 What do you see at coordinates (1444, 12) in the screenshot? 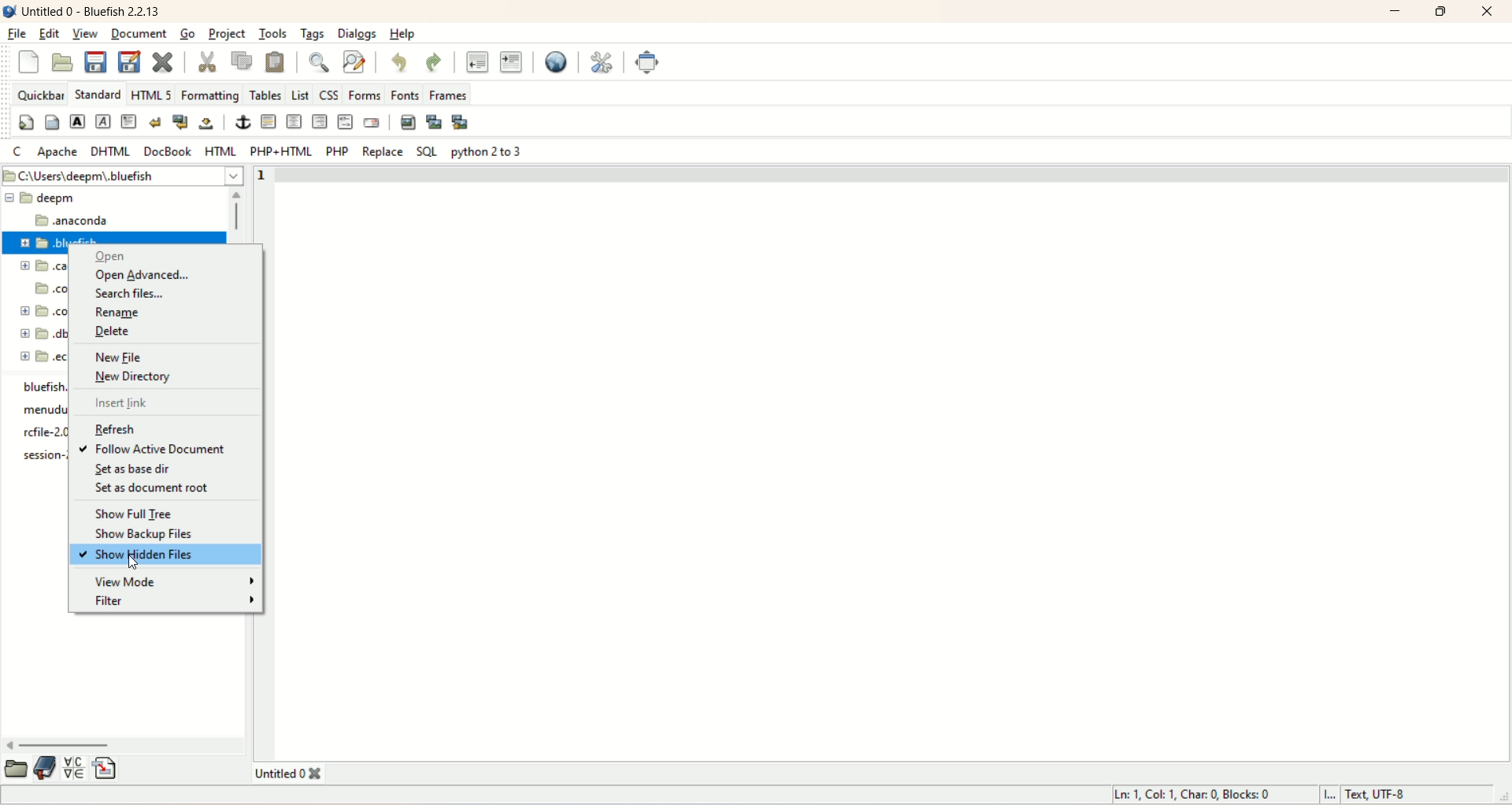
I see `maximize` at bounding box center [1444, 12].